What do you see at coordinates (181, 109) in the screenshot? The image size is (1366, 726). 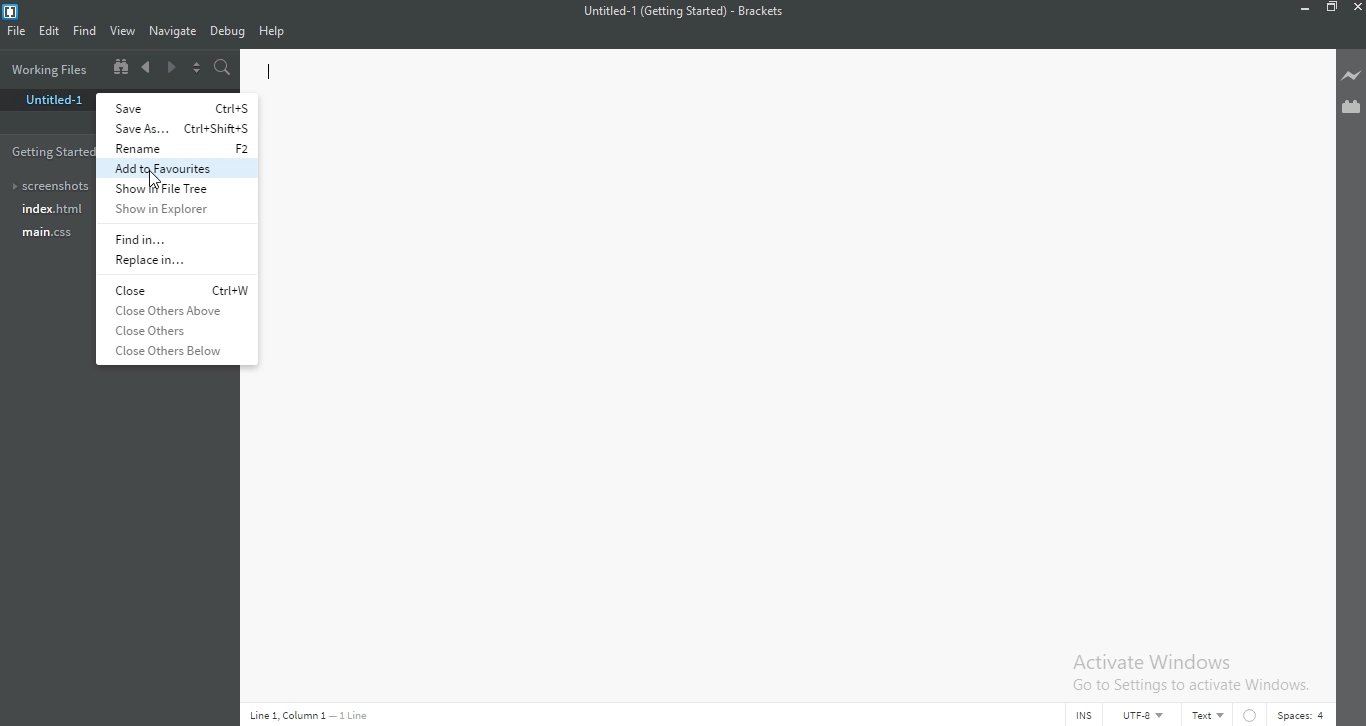 I see `save` at bounding box center [181, 109].